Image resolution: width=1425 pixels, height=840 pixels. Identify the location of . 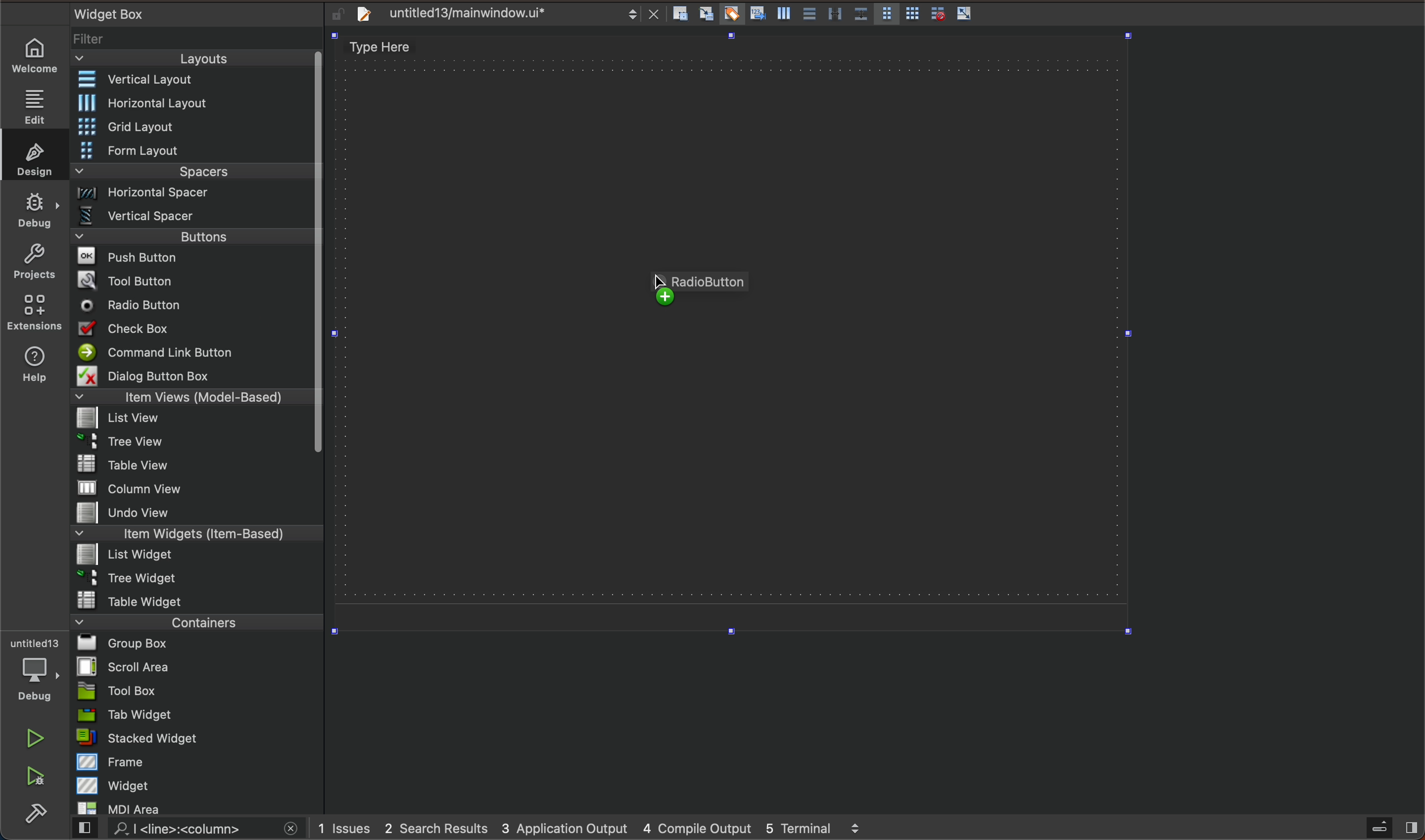
(965, 14).